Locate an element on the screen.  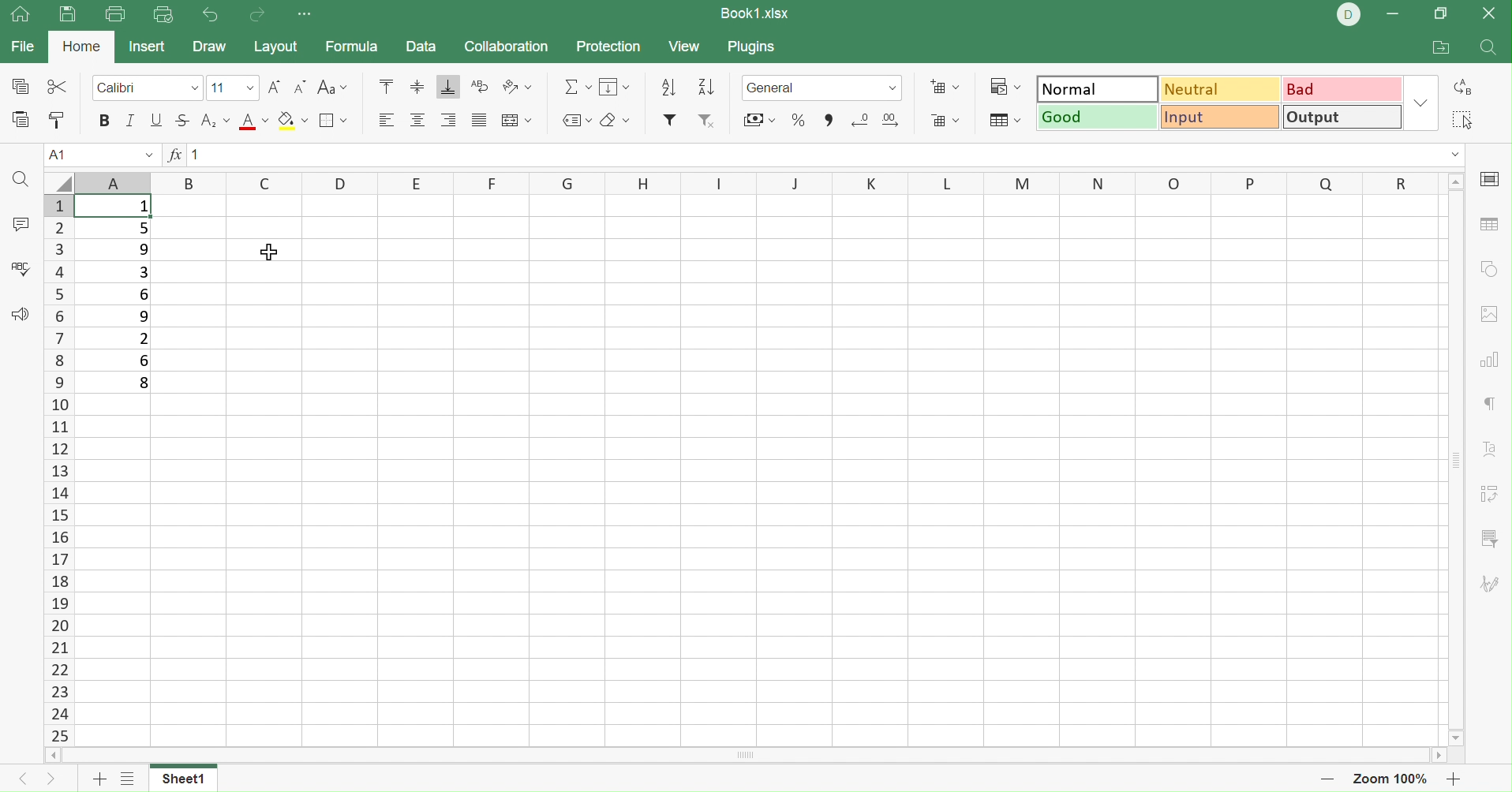
Protection is located at coordinates (607, 47).